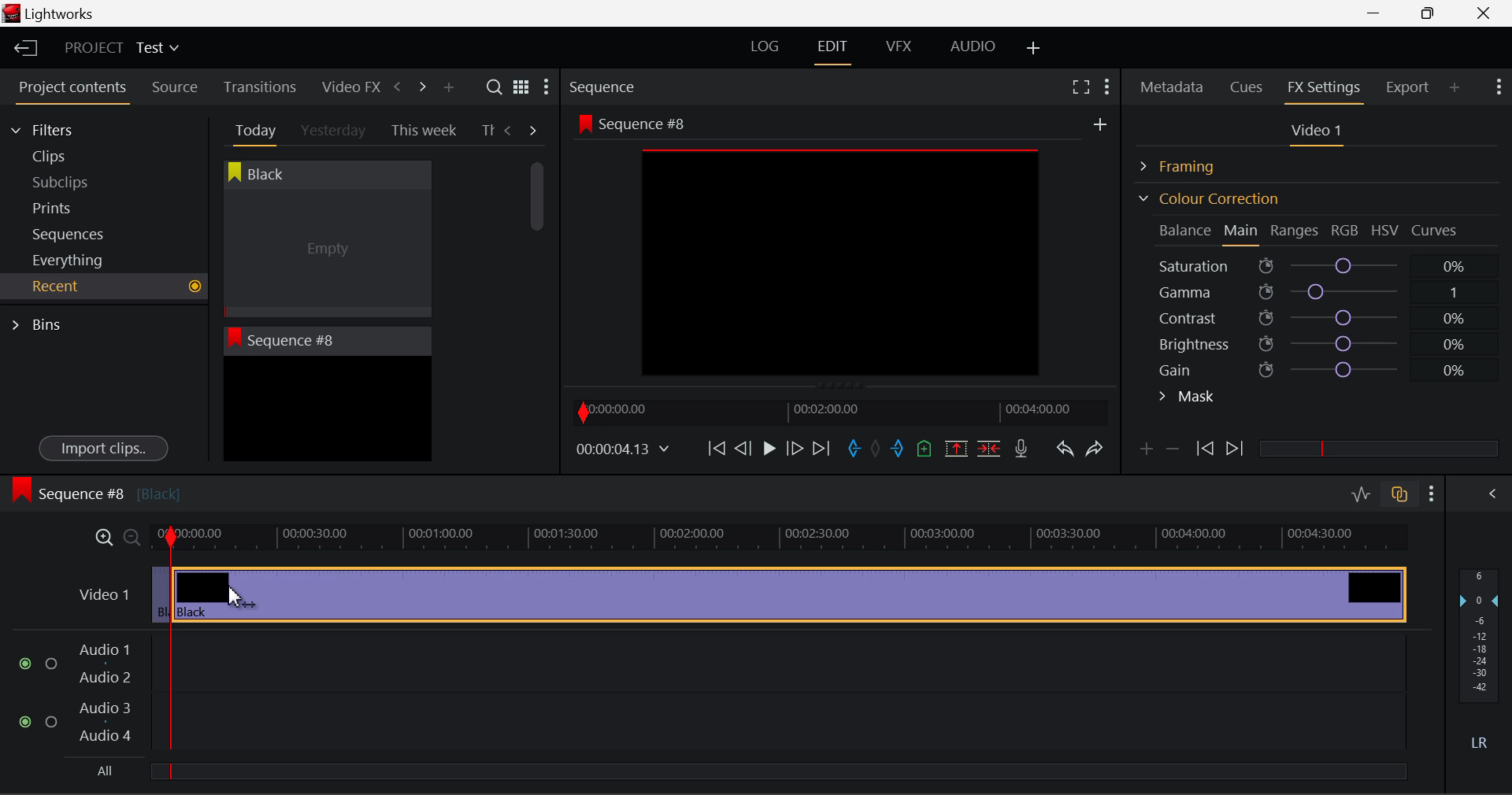  Describe the element at coordinates (95, 490) in the screenshot. I see `Sequence #8` at that location.